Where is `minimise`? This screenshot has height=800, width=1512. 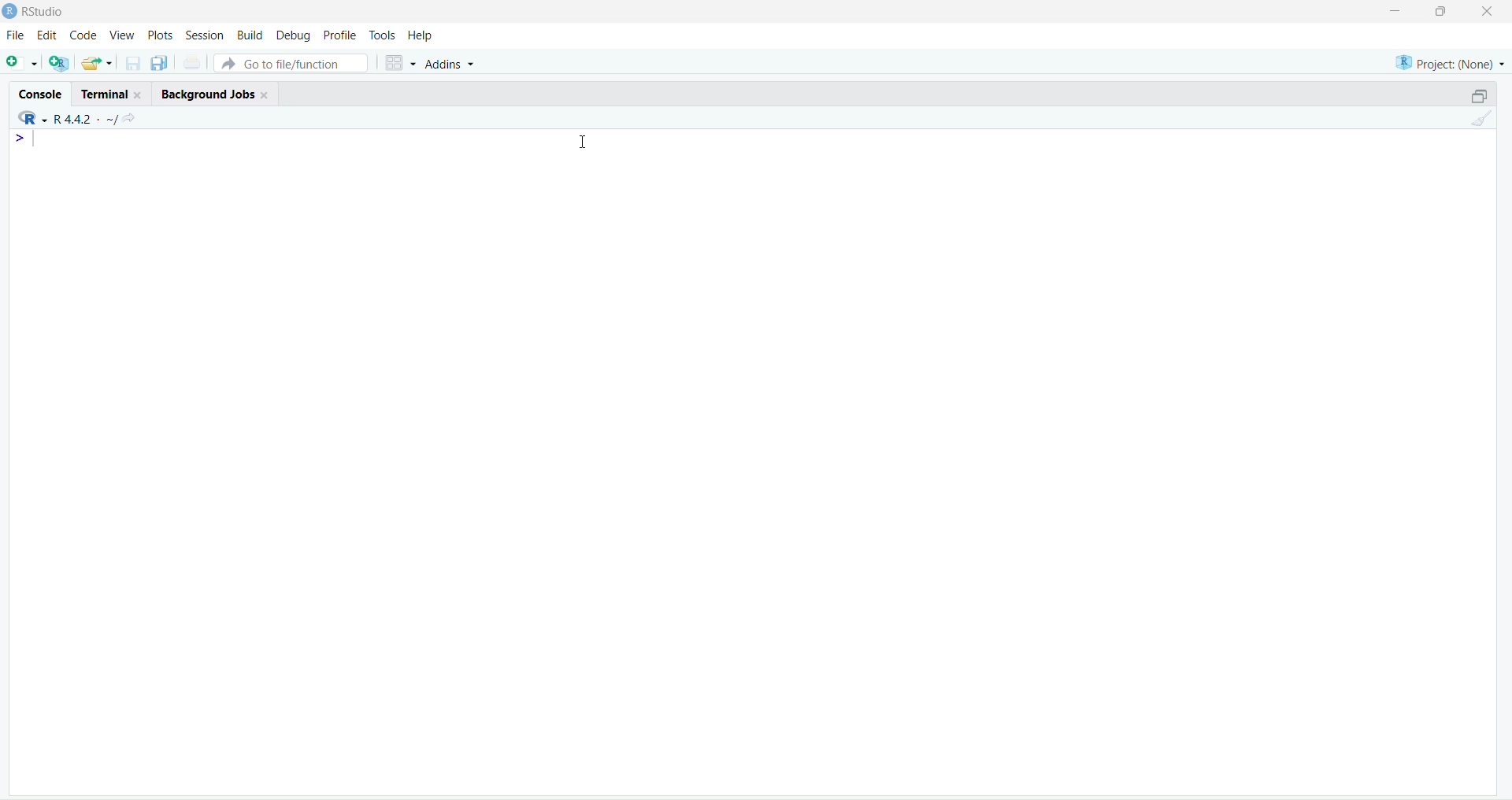 minimise is located at coordinates (1398, 9).